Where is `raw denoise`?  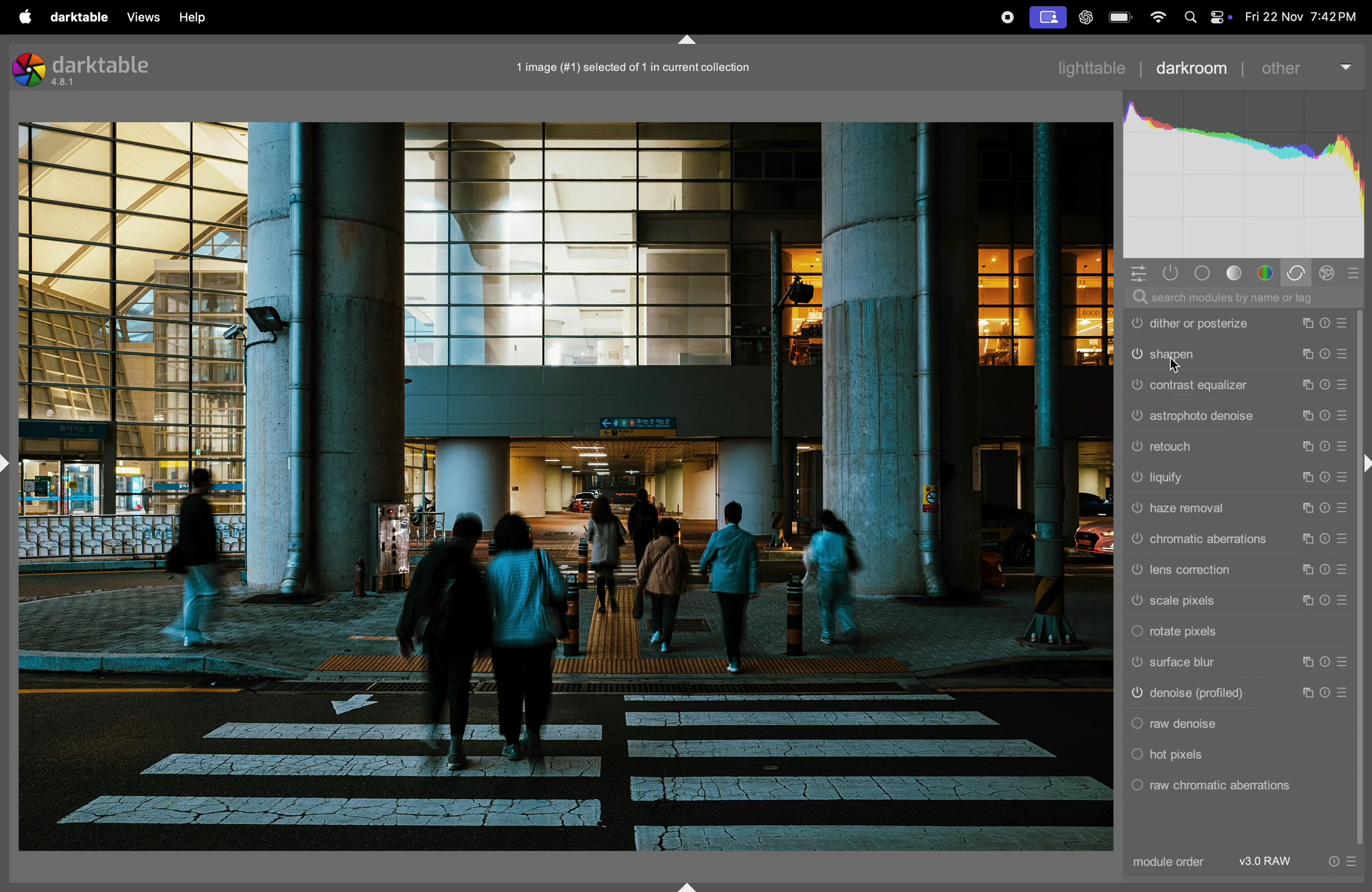 raw denoise is located at coordinates (1235, 724).